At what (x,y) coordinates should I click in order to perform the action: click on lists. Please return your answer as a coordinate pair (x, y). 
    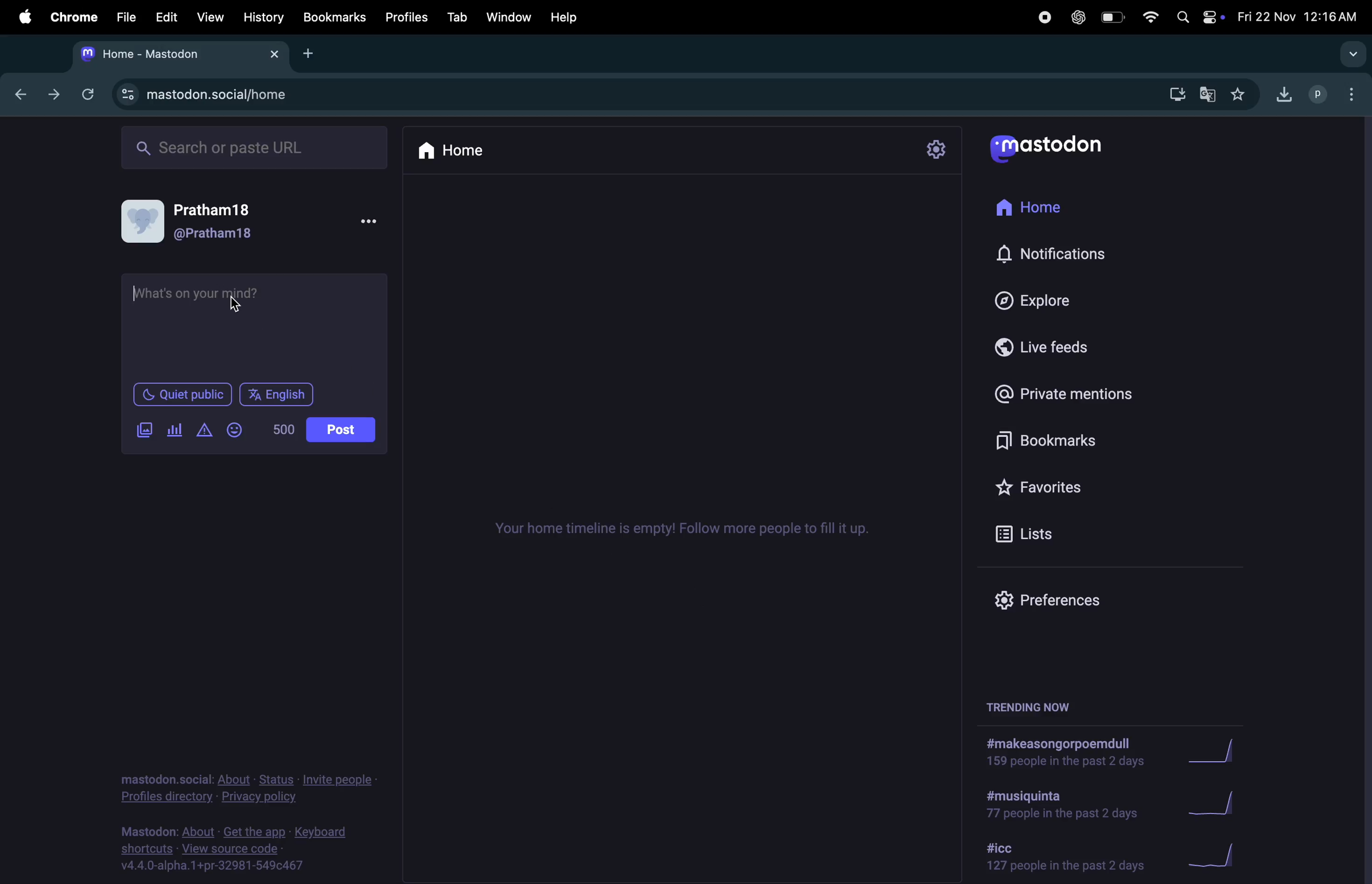
    Looking at the image, I should click on (1045, 530).